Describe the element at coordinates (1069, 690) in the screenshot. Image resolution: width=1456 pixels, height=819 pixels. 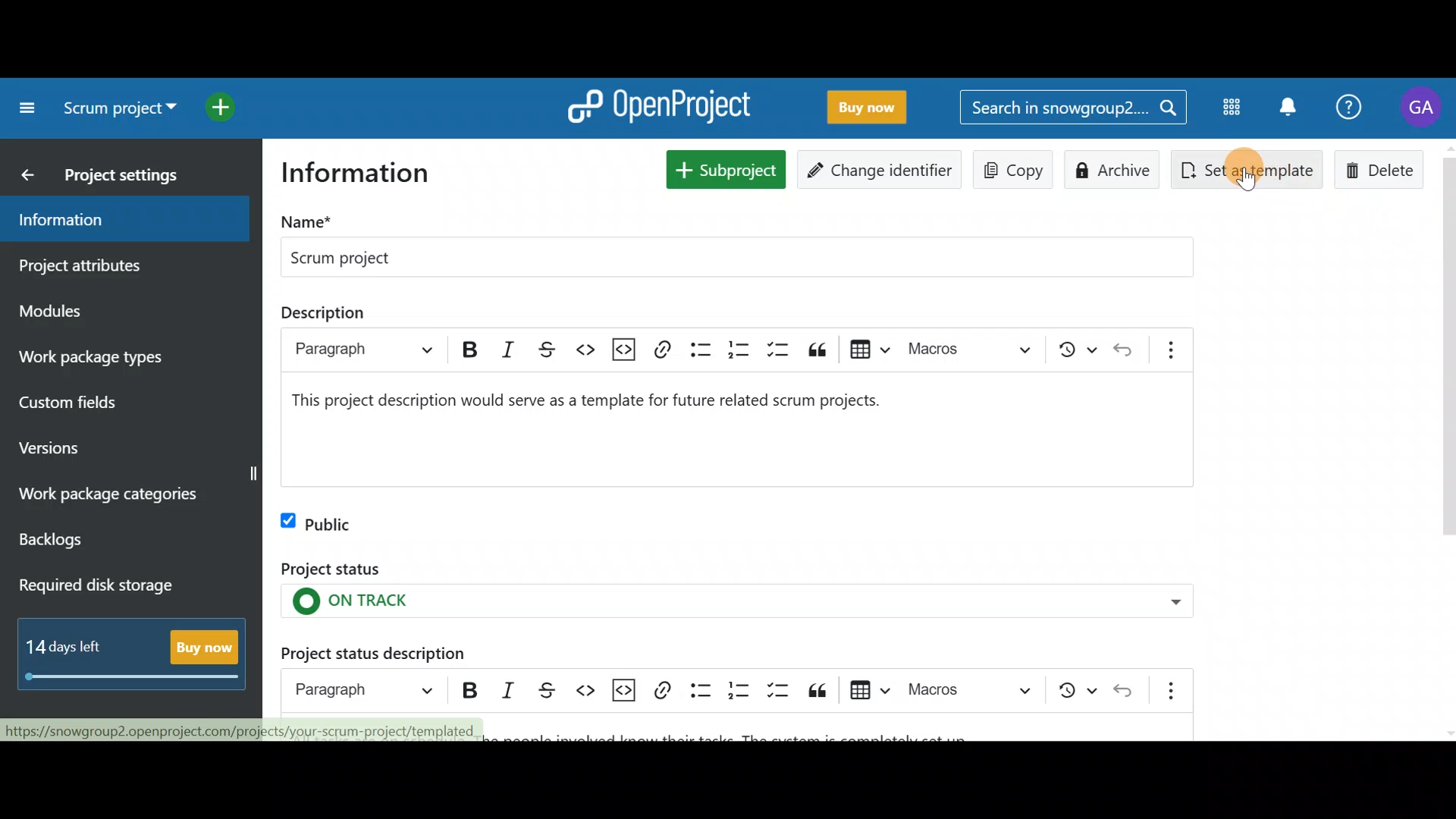
I see `Show local modifications` at that location.